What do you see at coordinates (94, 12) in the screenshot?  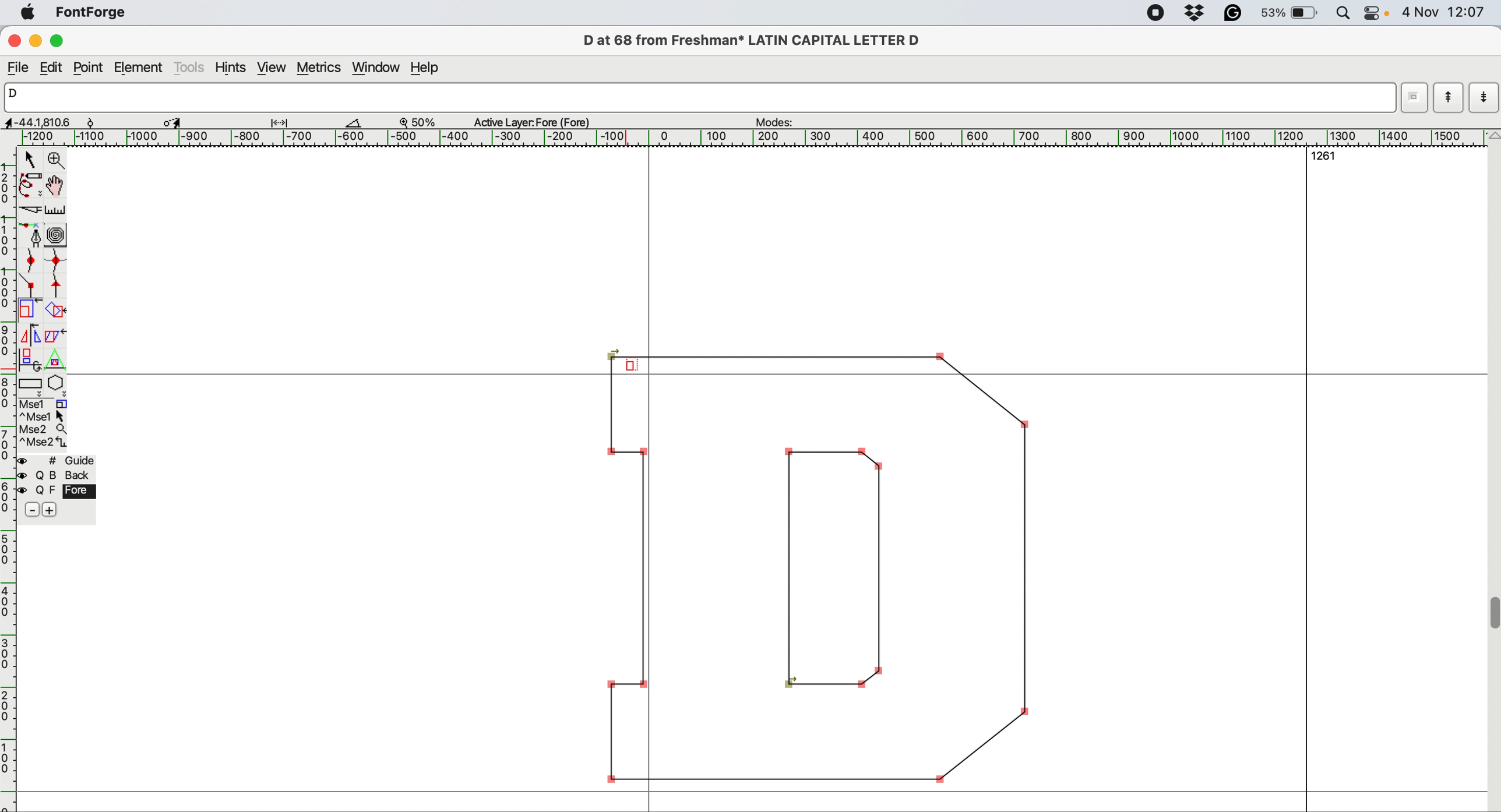 I see `font forge` at bounding box center [94, 12].